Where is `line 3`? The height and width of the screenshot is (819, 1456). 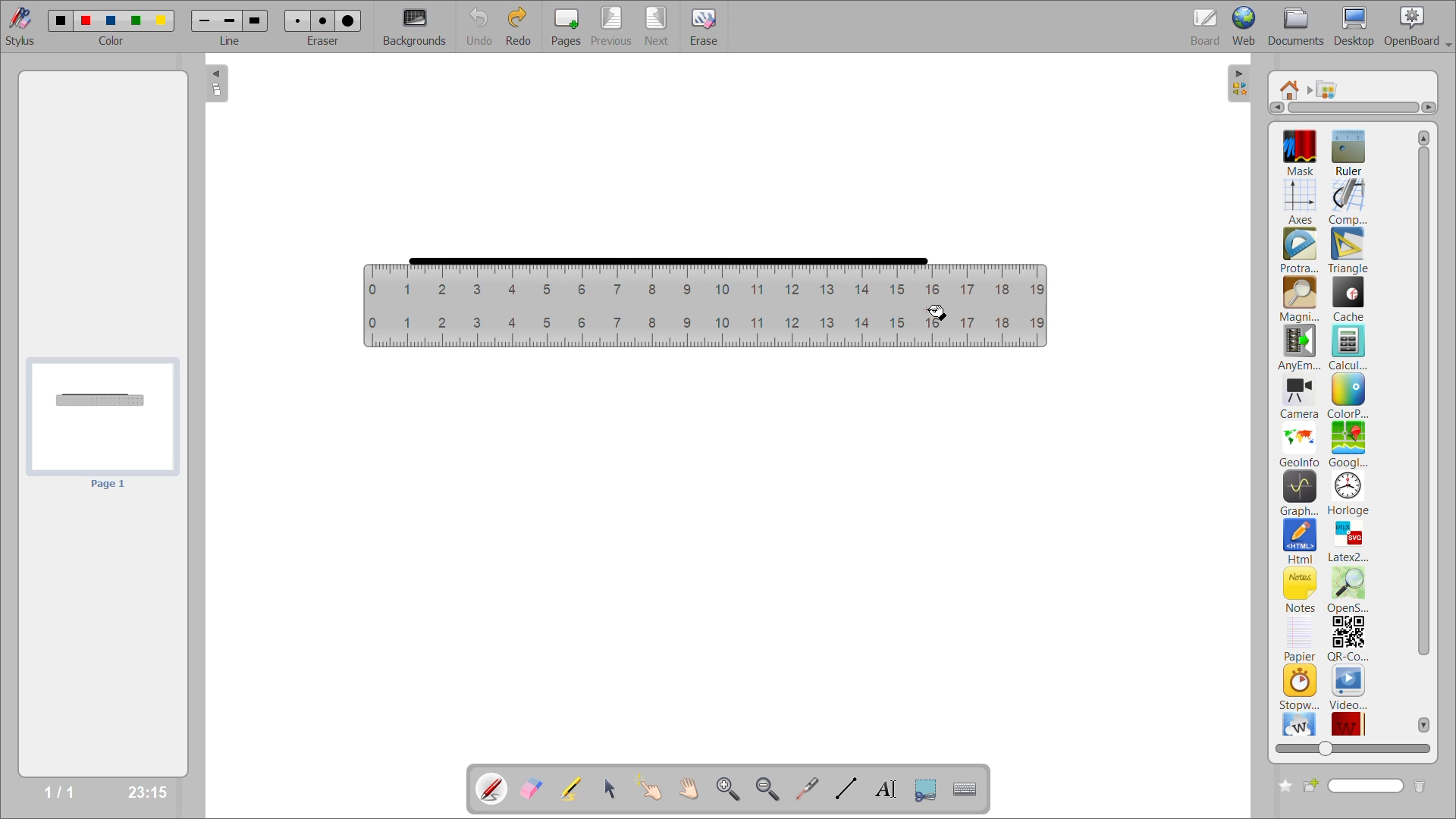
line 3 is located at coordinates (254, 22).